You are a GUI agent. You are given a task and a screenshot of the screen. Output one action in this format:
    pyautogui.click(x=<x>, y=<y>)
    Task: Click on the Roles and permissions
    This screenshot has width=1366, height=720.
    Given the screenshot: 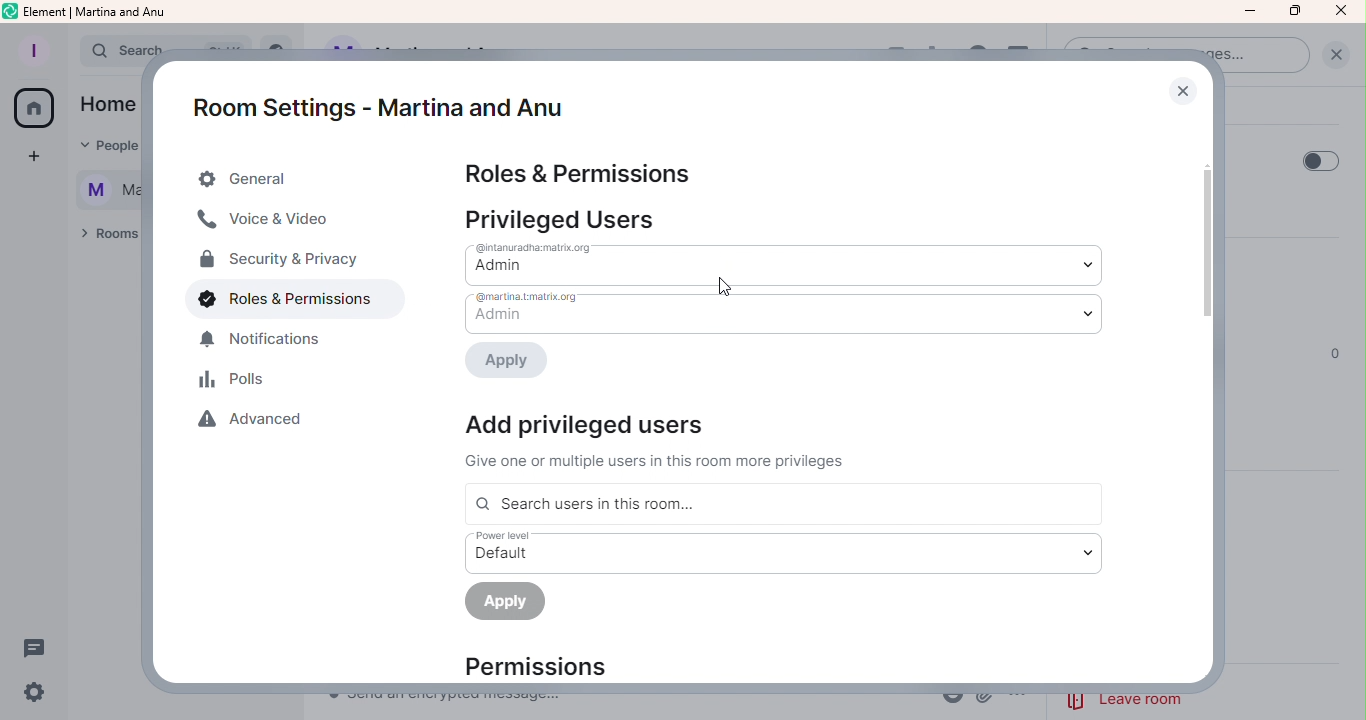 What is the action you would take?
    pyautogui.click(x=280, y=303)
    